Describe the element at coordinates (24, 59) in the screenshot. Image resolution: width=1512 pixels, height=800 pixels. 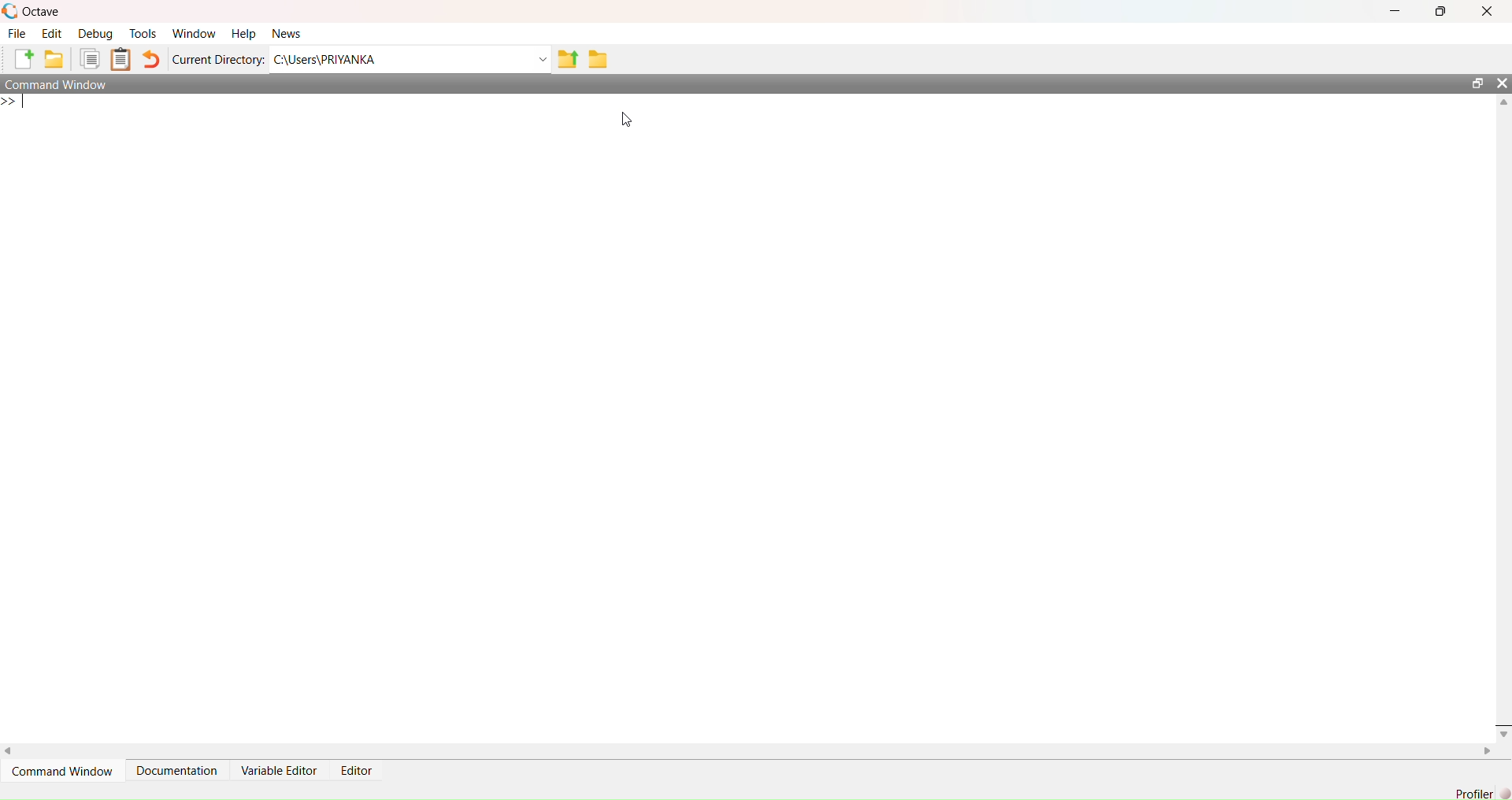
I see `New script` at that location.